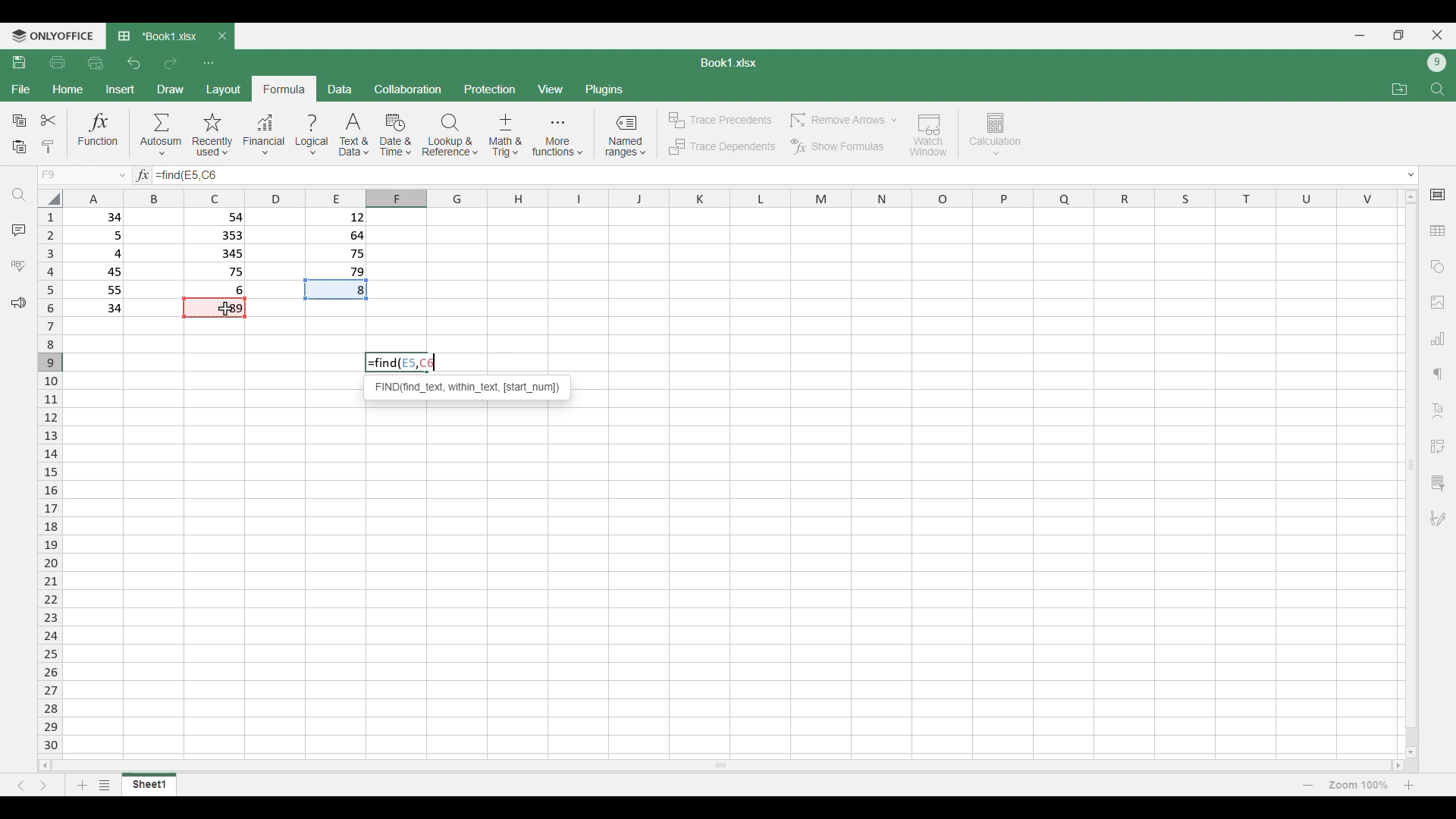 The image size is (1456, 819). Describe the element at coordinates (50, 479) in the screenshot. I see `Indicates rows` at that location.